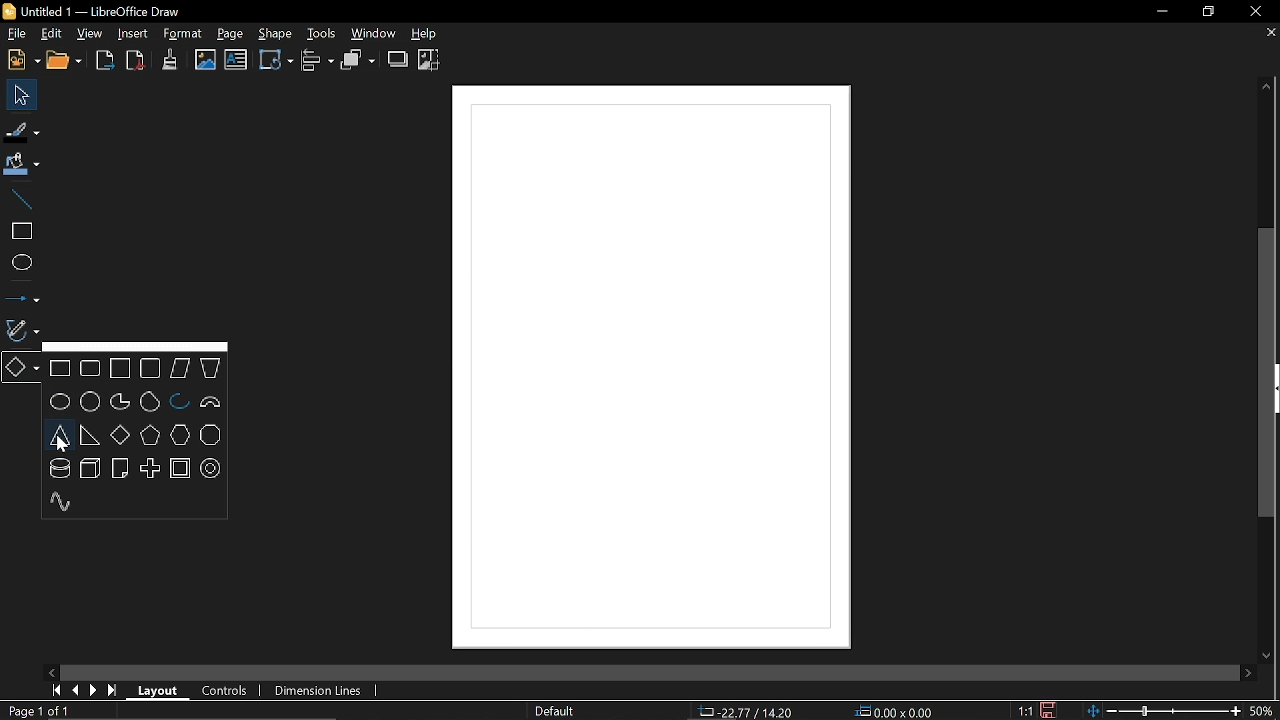 The width and height of the screenshot is (1280, 720). Describe the element at coordinates (554, 711) in the screenshot. I see `Slide master name` at that location.